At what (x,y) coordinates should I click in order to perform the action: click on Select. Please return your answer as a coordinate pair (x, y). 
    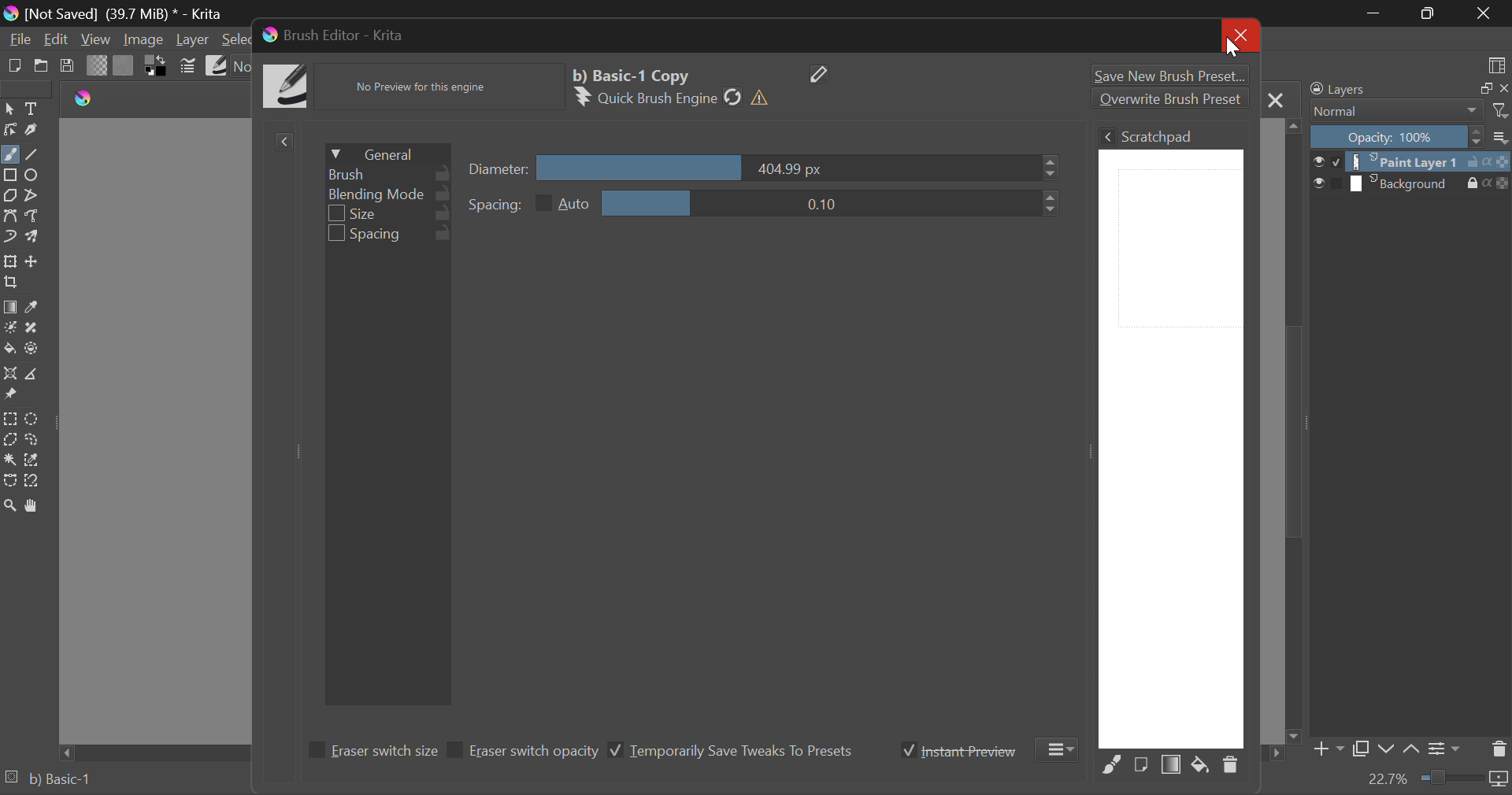
    Looking at the image, I should click on (9, 109).